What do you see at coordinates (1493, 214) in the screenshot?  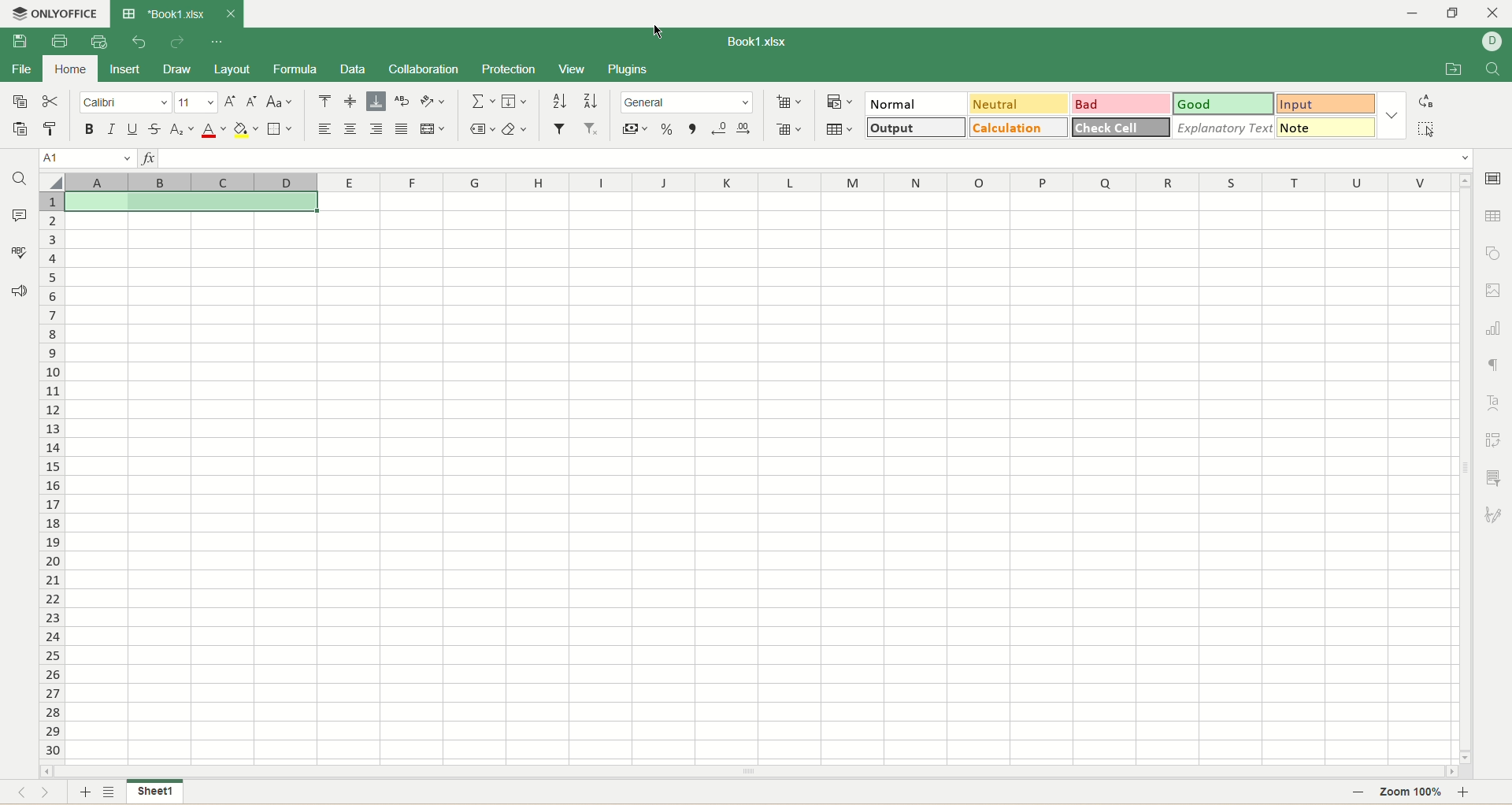 I see `table` at bounding box center [1493, 214].